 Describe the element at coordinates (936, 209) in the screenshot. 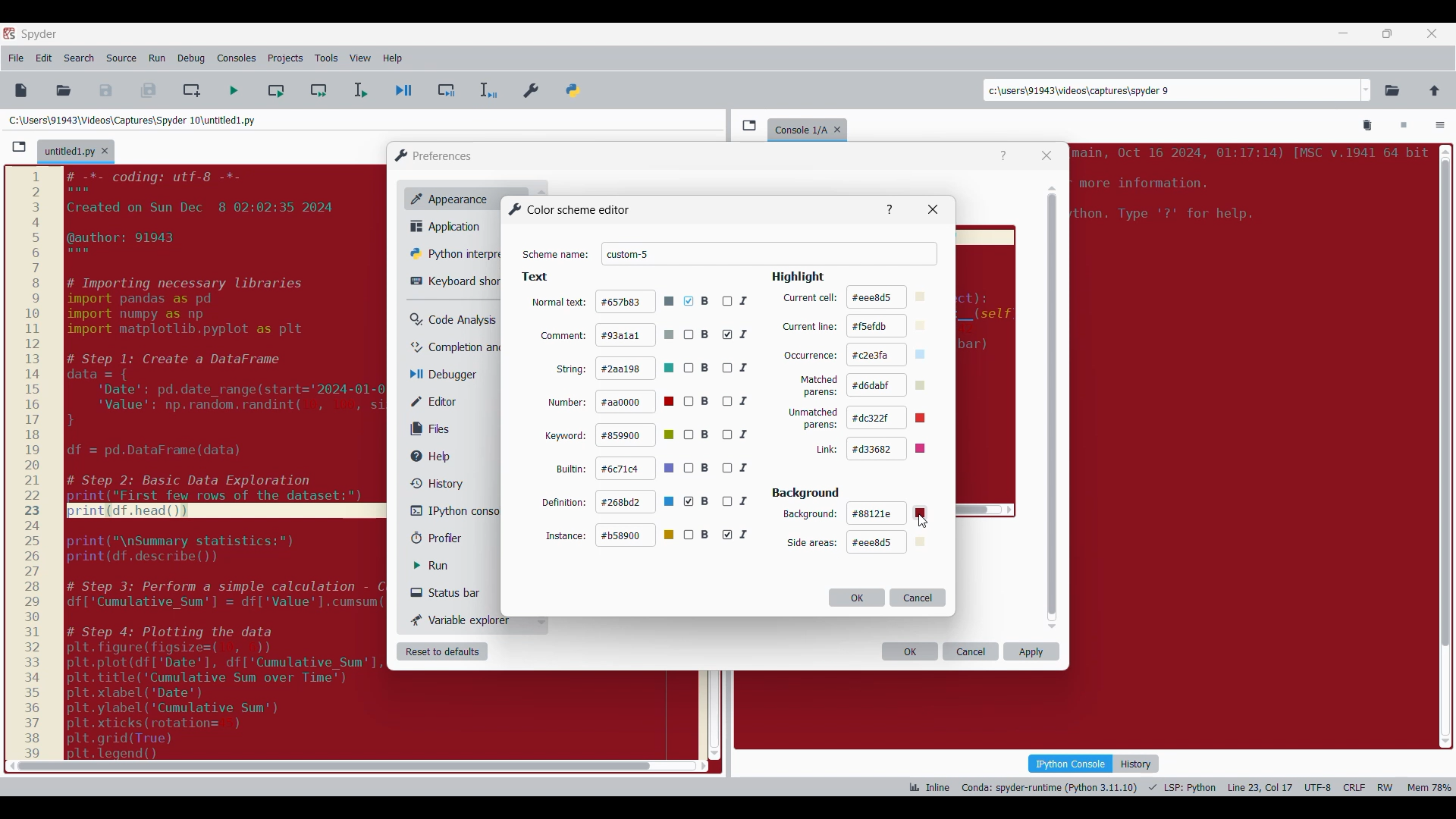

I see `` at that location.